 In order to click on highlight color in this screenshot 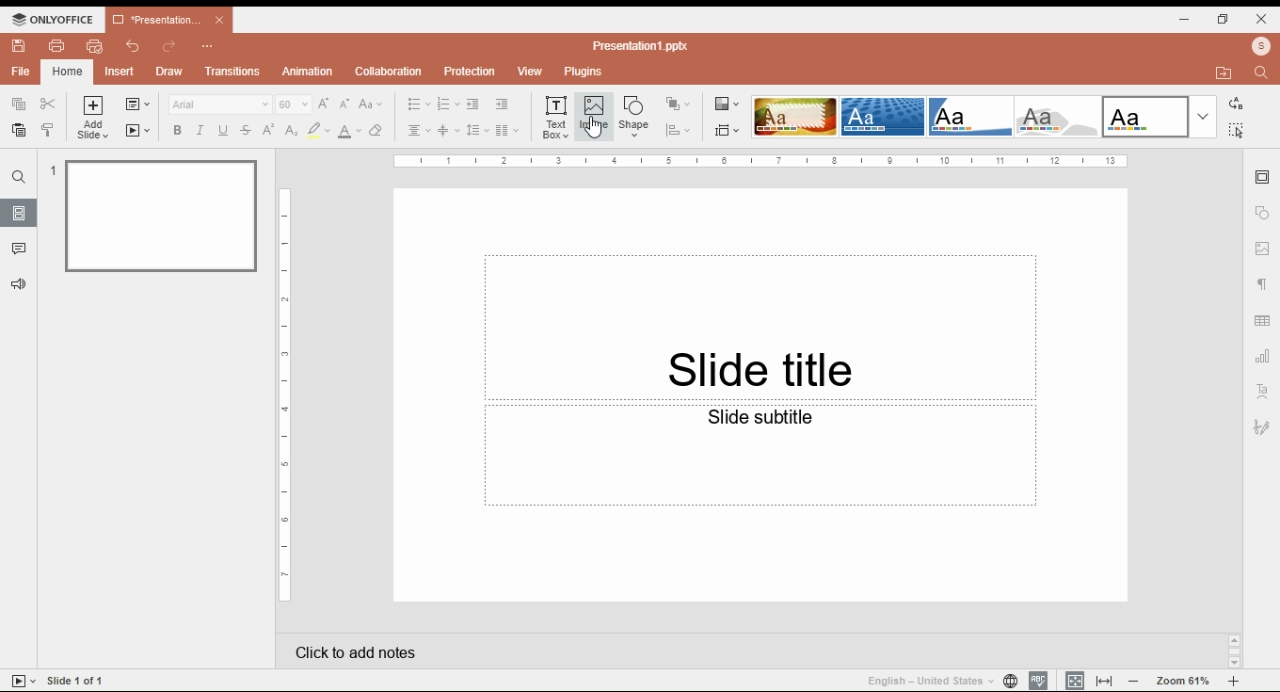, I will do `click(317, 130)`.